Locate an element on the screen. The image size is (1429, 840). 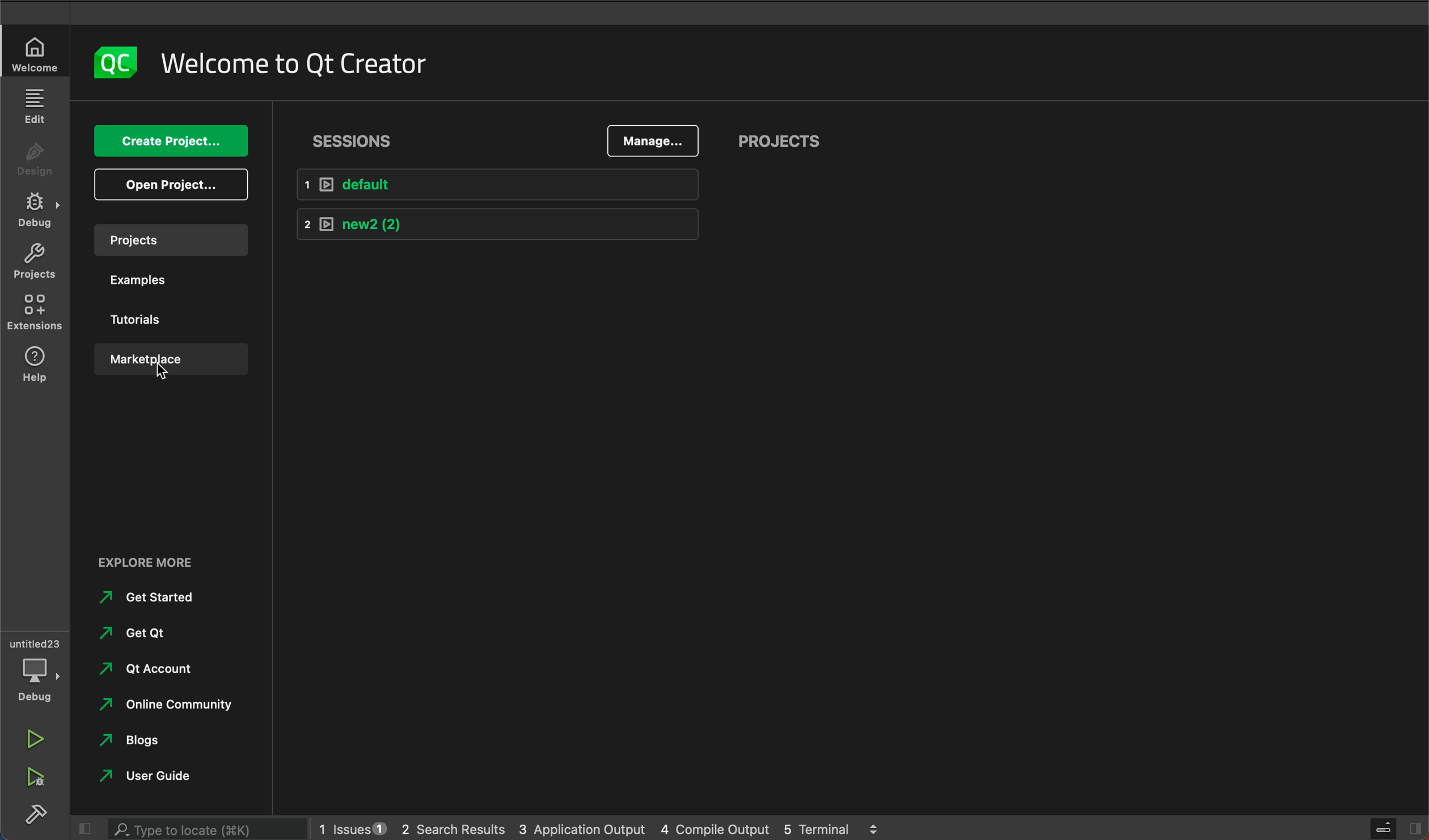
logs is located at coordinates (615, 828).